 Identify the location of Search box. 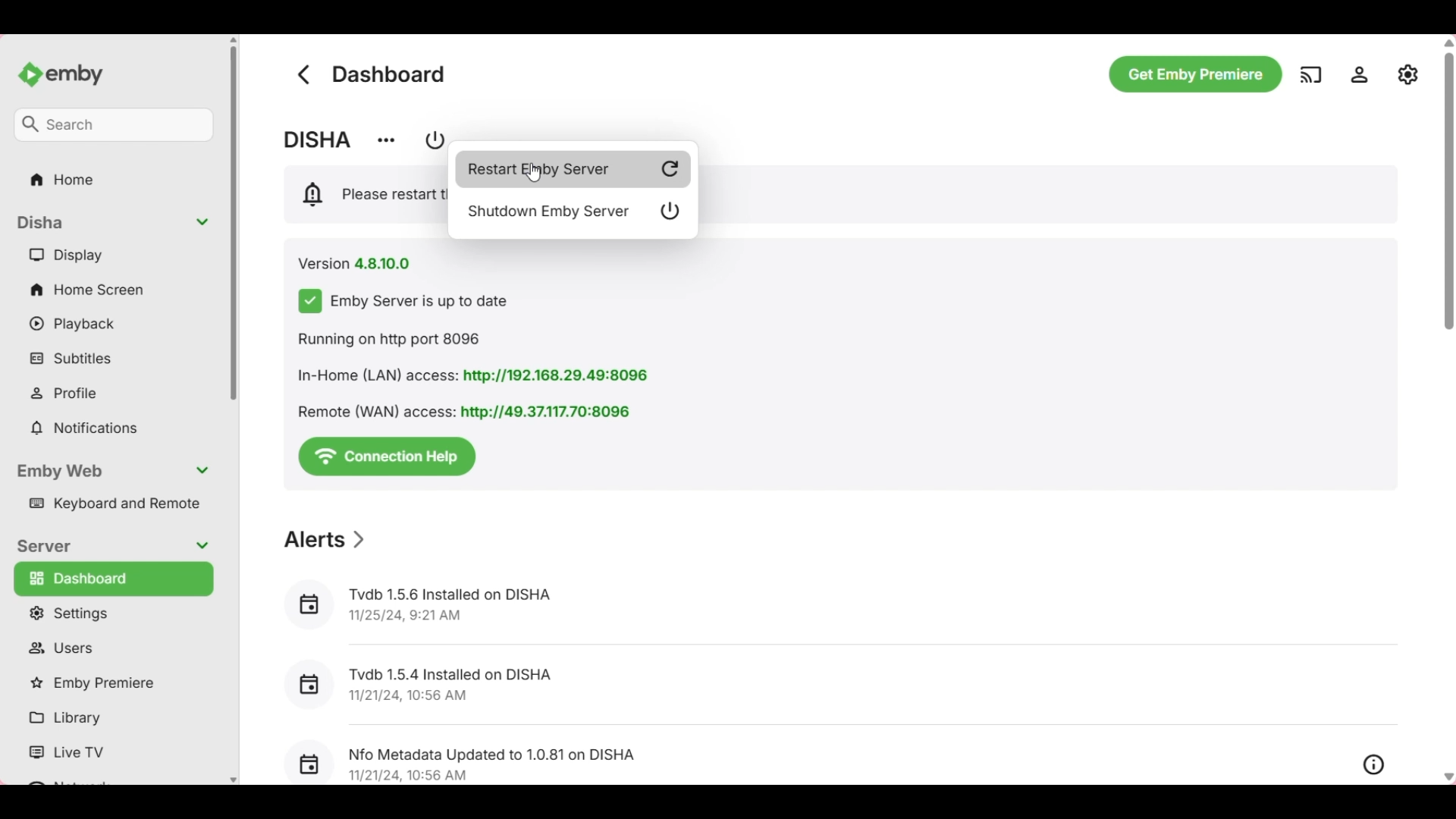
(113, 125).